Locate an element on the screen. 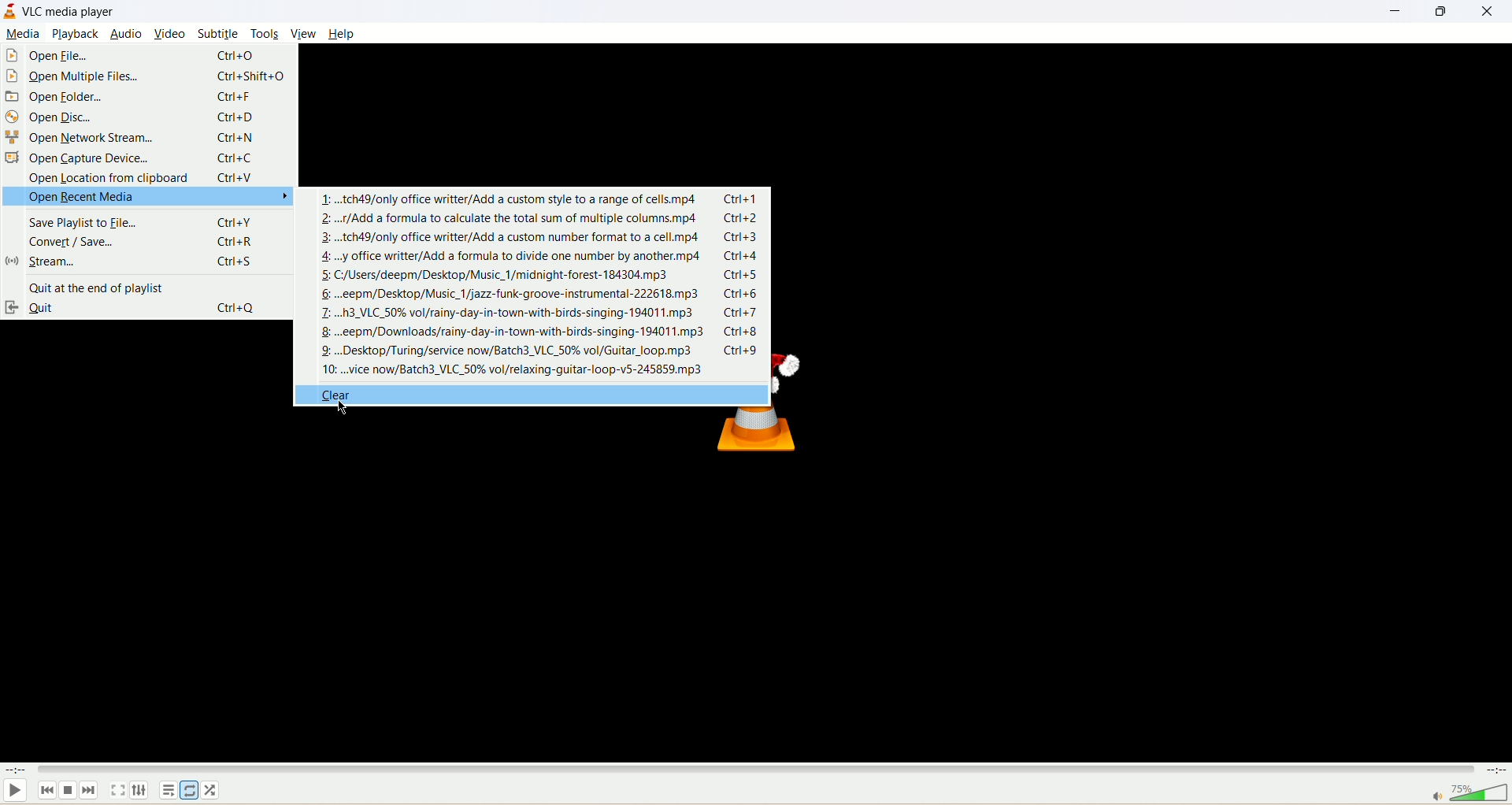 Image resolution: width=1512 pixels, height=805 pixels. time left is located at coordinates (1496, 770).